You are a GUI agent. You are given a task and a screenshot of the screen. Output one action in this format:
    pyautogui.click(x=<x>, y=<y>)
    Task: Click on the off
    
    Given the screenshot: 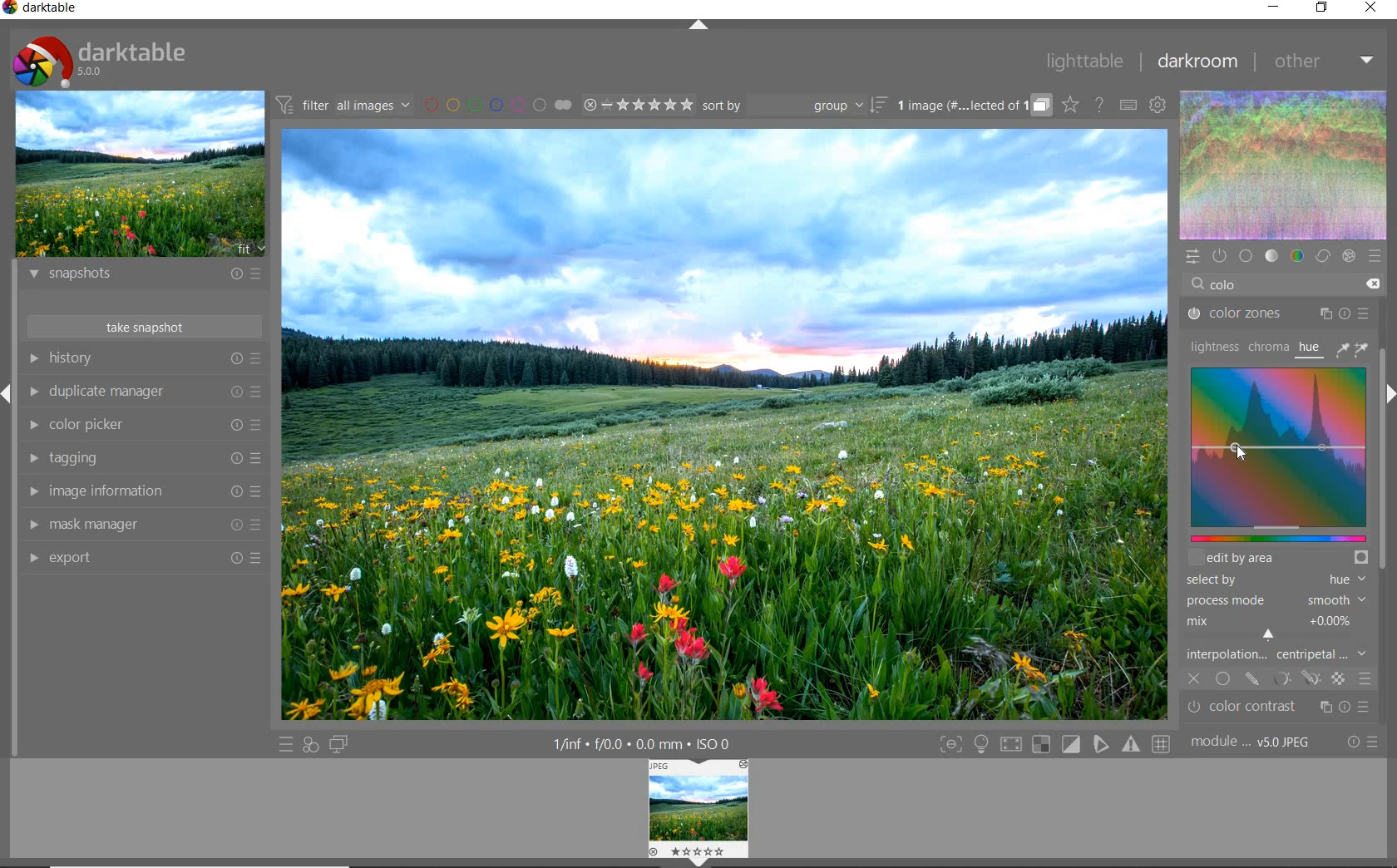 What is the action you would take?
    pyautogui.click(x=1195, y=677)
    